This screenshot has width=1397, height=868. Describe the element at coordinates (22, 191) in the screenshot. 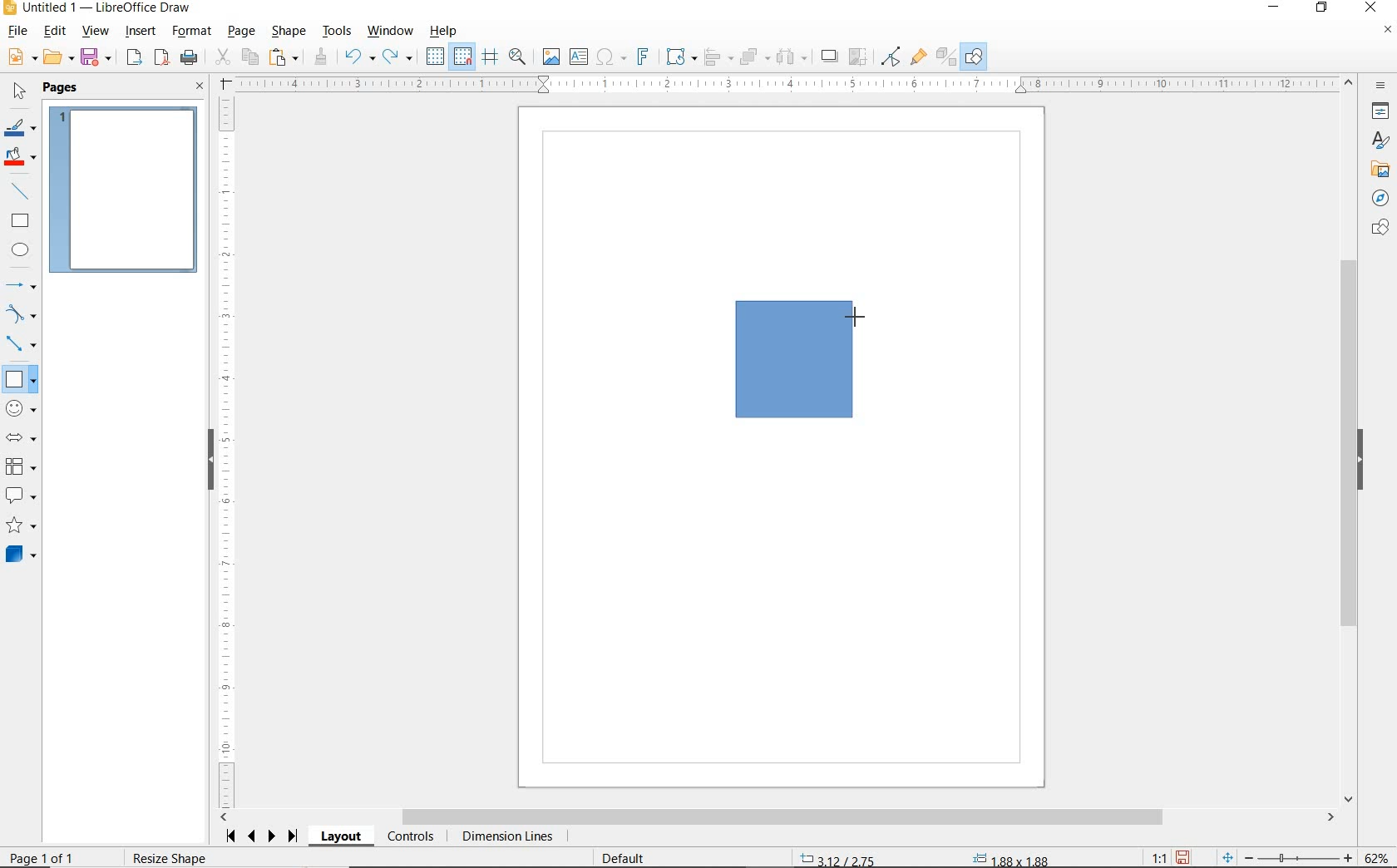

I see `INSERT LINE` at that location.